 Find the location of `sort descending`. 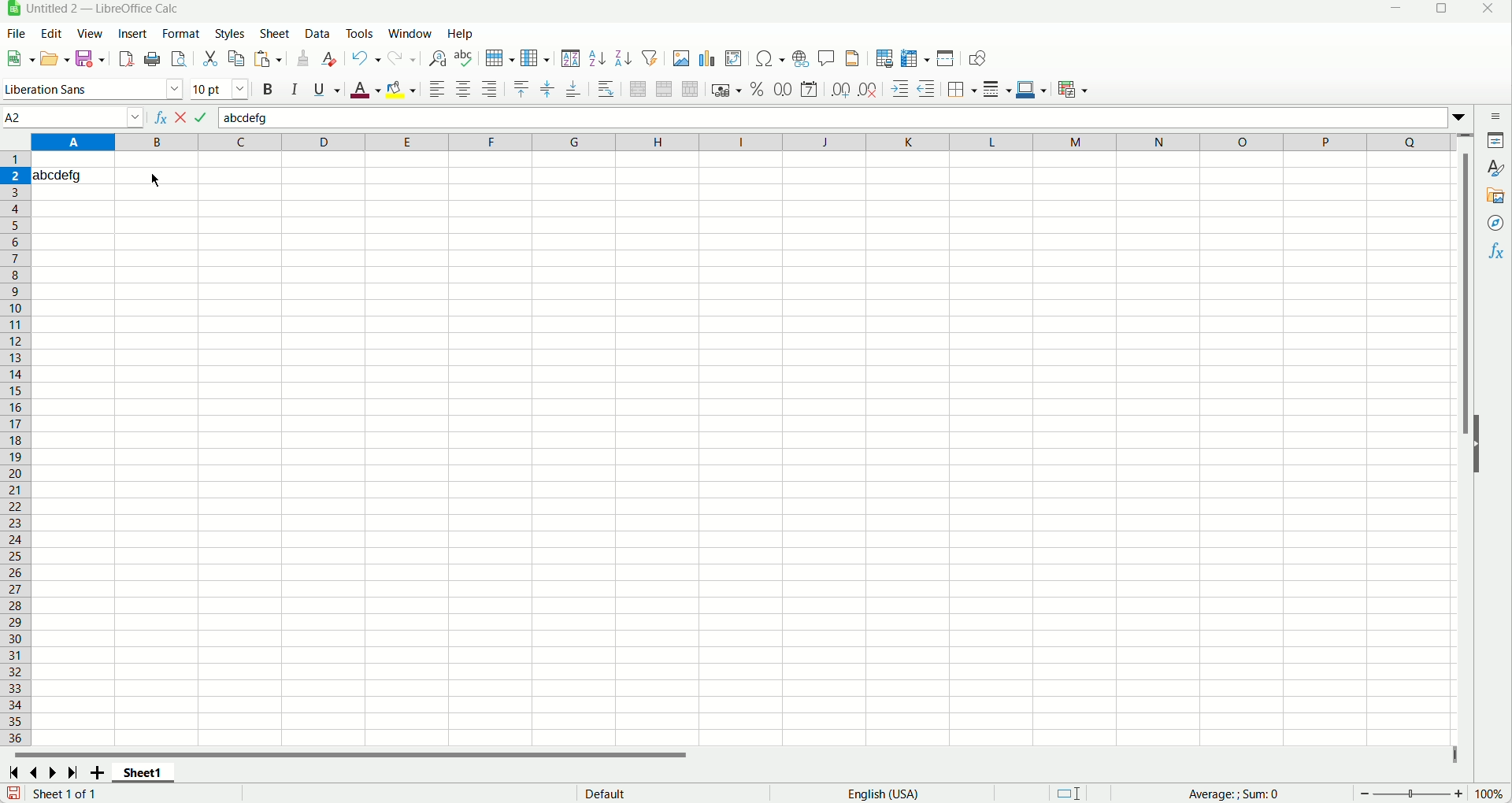

sort descending is located at coordinates (624, 59).